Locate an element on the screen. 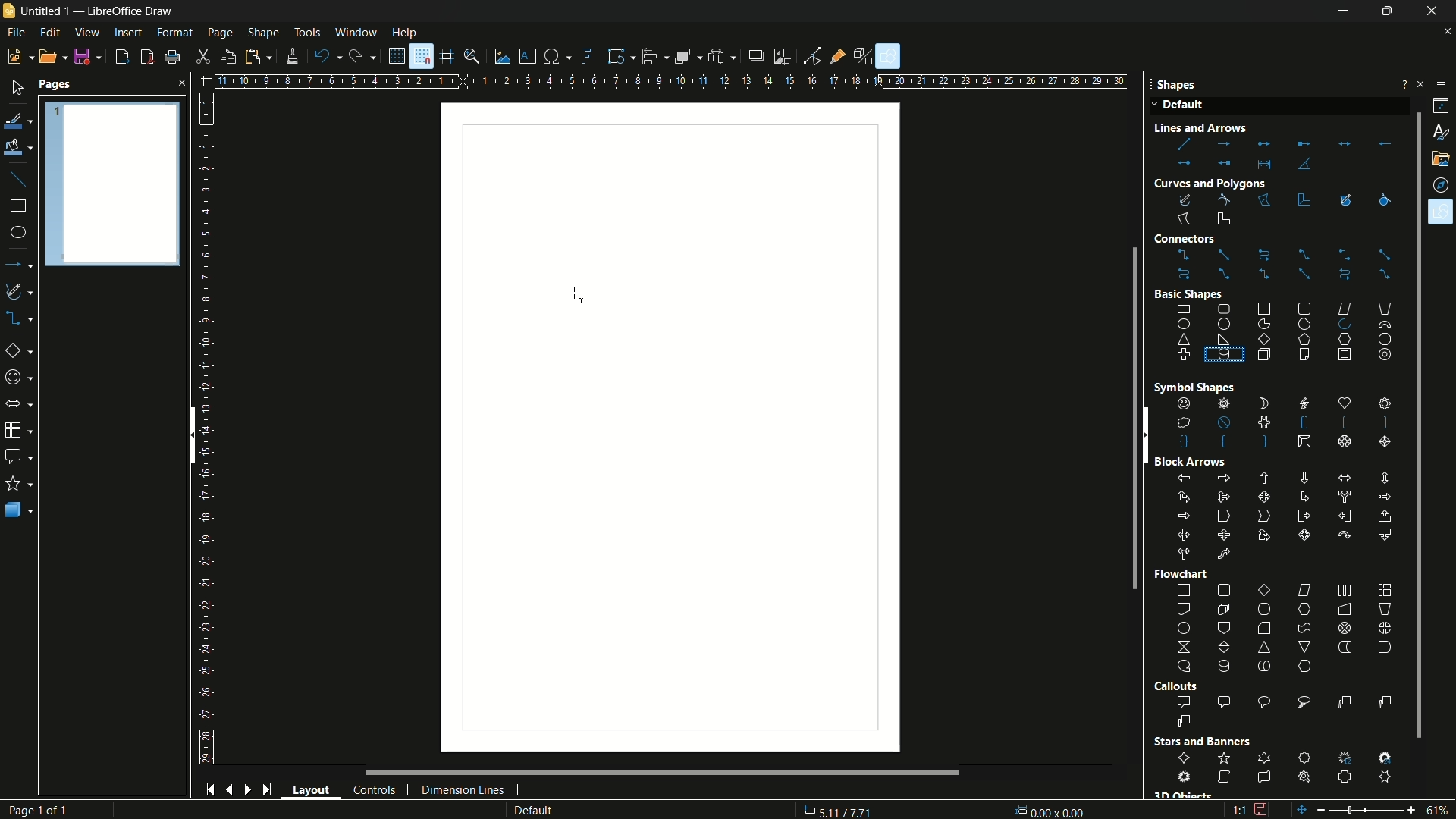 The image size is (1456, 819). ellipse is located at coordinates (17, 233).